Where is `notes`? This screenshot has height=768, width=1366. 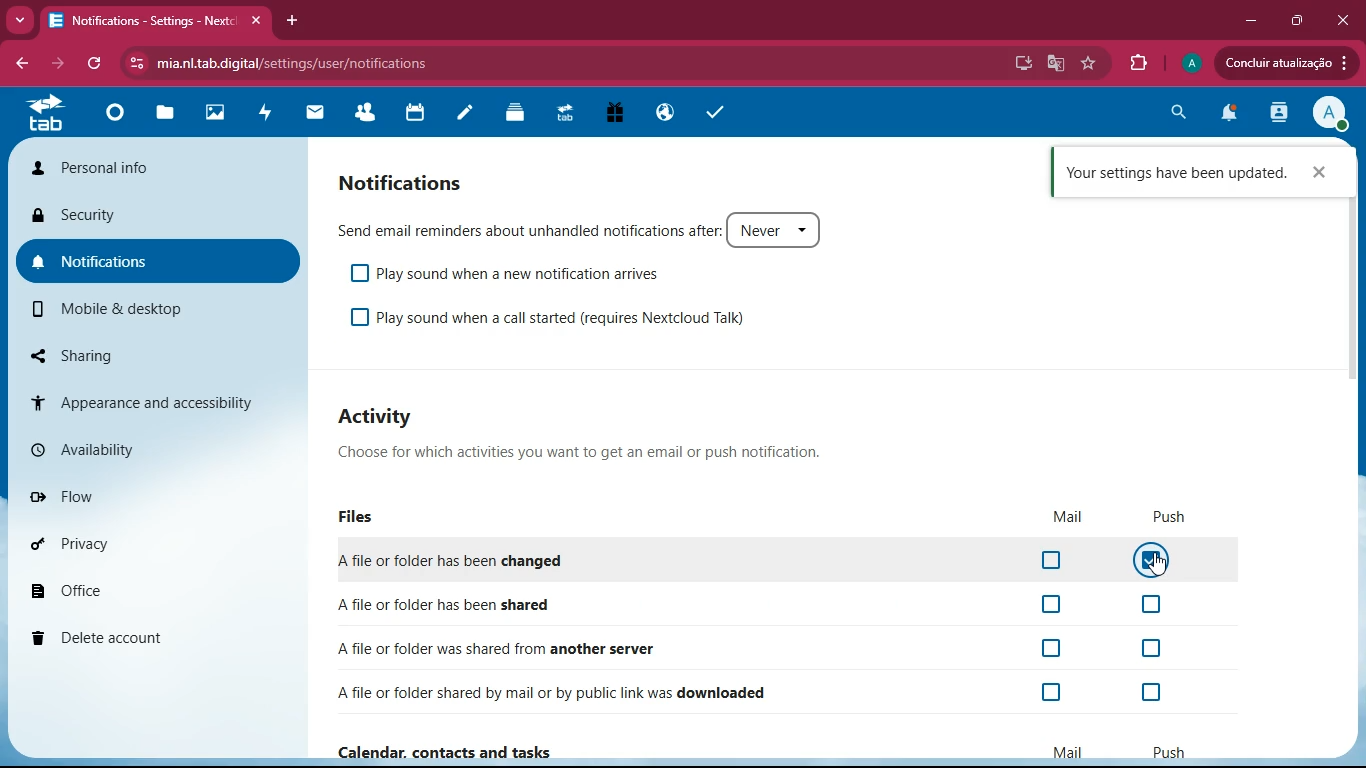 notes is located at coordinates (467, 112).